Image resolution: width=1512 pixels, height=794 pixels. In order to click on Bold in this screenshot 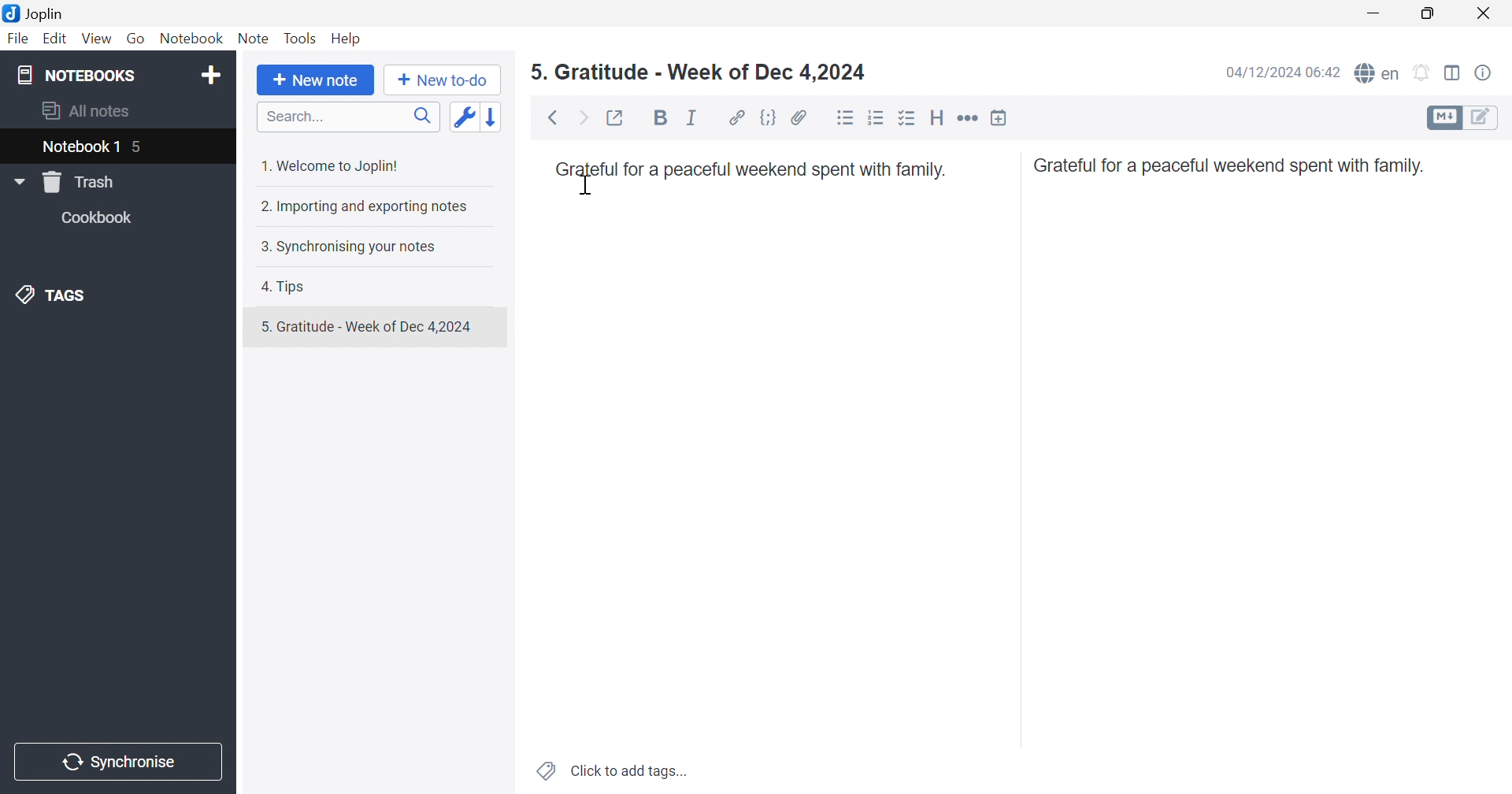, I will do `click(658, 117)`.